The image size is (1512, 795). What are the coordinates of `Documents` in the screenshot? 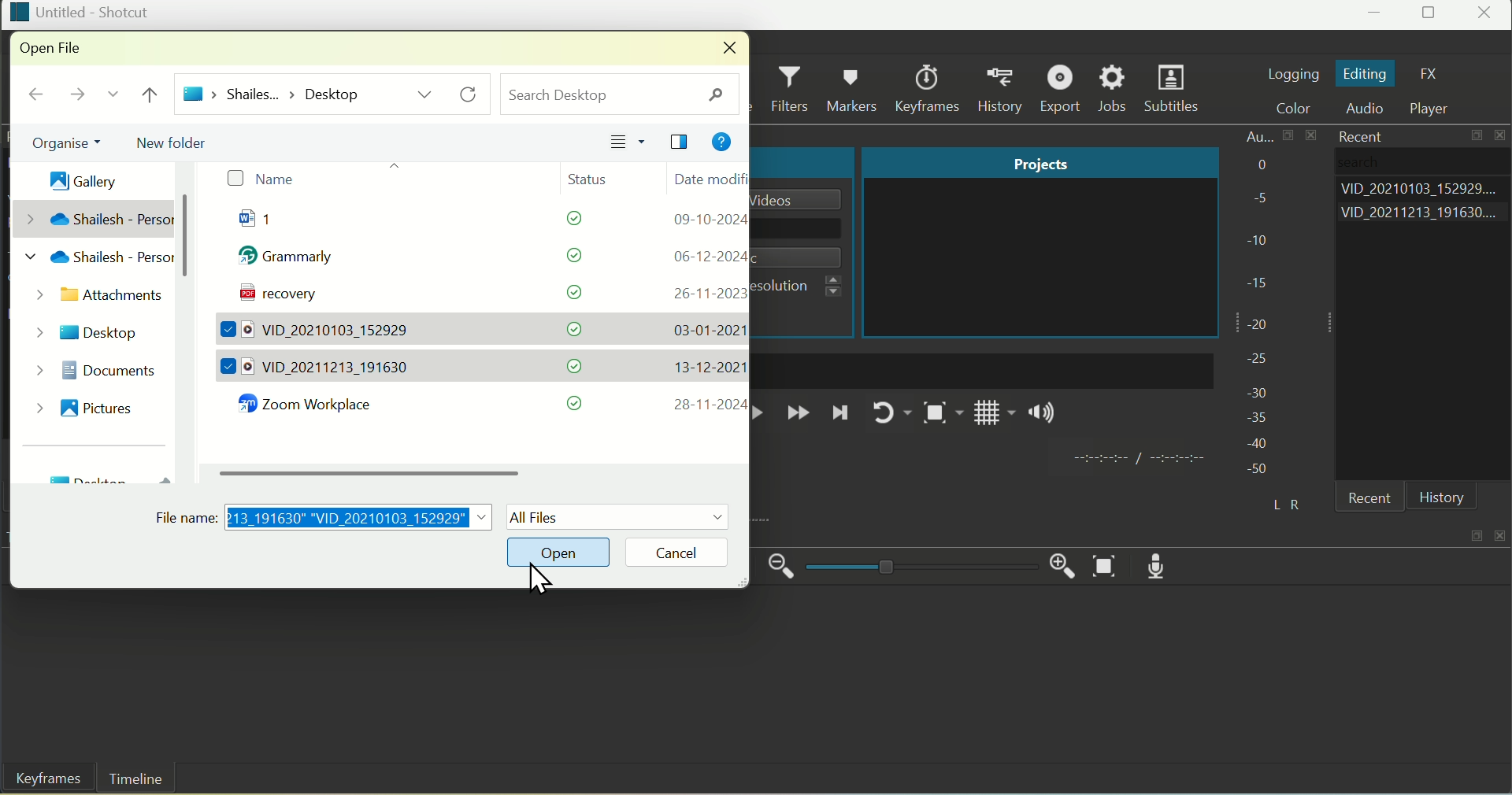 It's located at (91, 369).